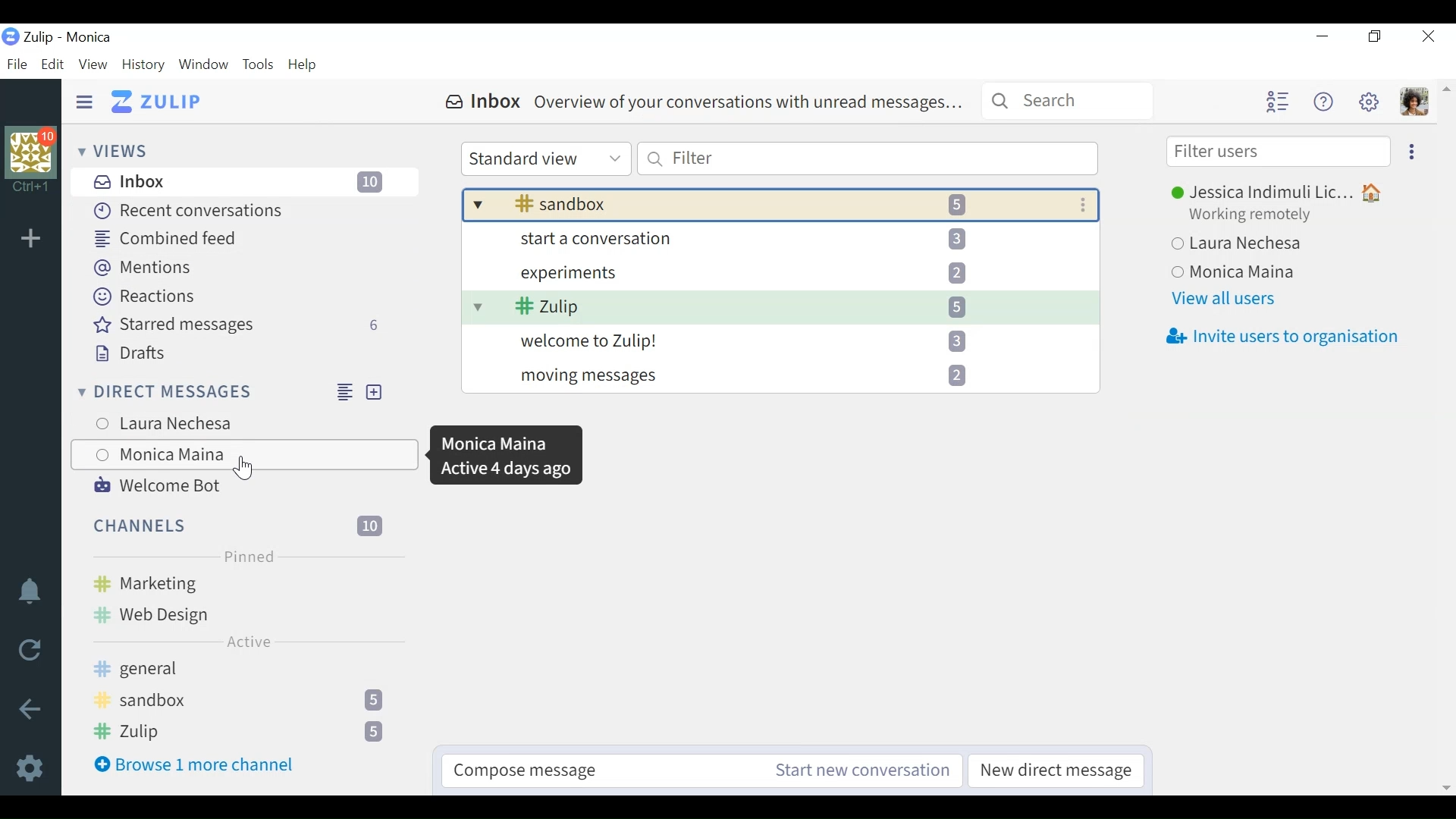 The height and width of the screenshot is (819, 1456). What do you see at coordinates (1410, 152) in the screenshot?
I see `Ellipsis` at bounding box center [1410, 152].